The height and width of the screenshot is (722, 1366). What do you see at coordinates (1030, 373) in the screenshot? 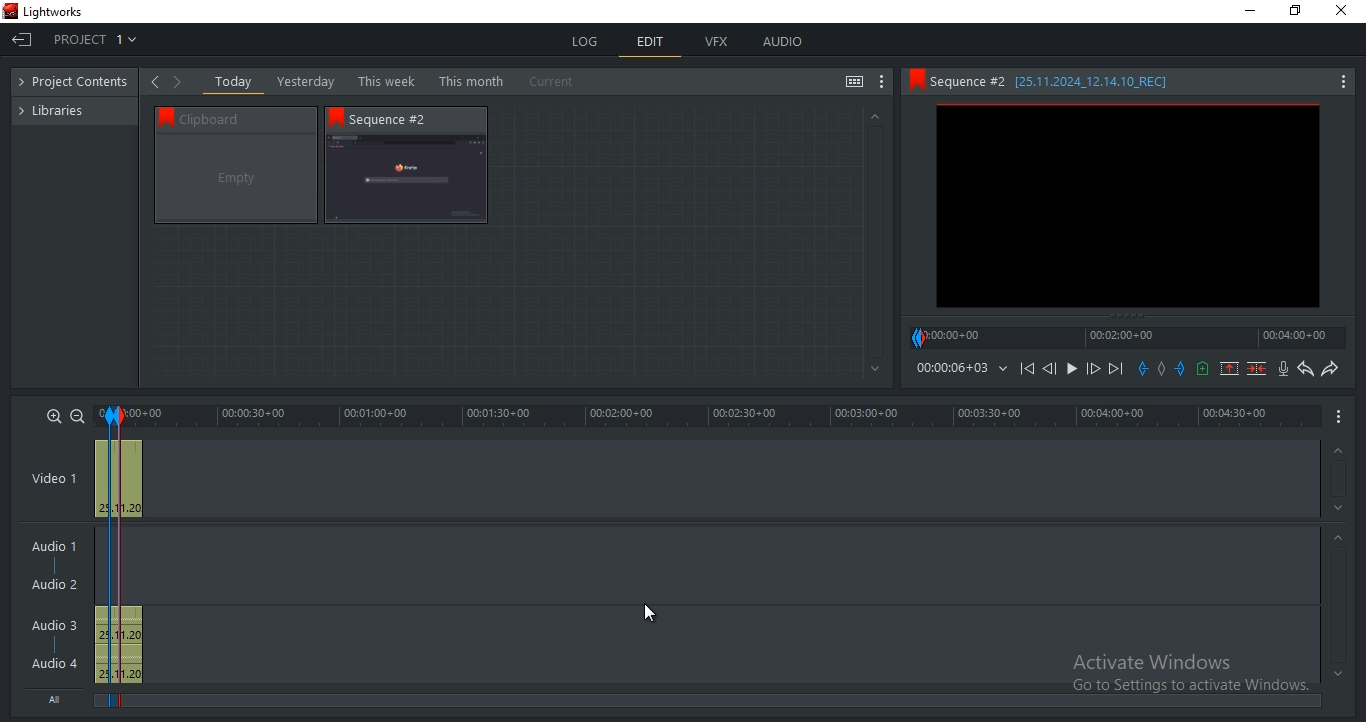
I see `Move backward` at bounding box center [1030, 373].